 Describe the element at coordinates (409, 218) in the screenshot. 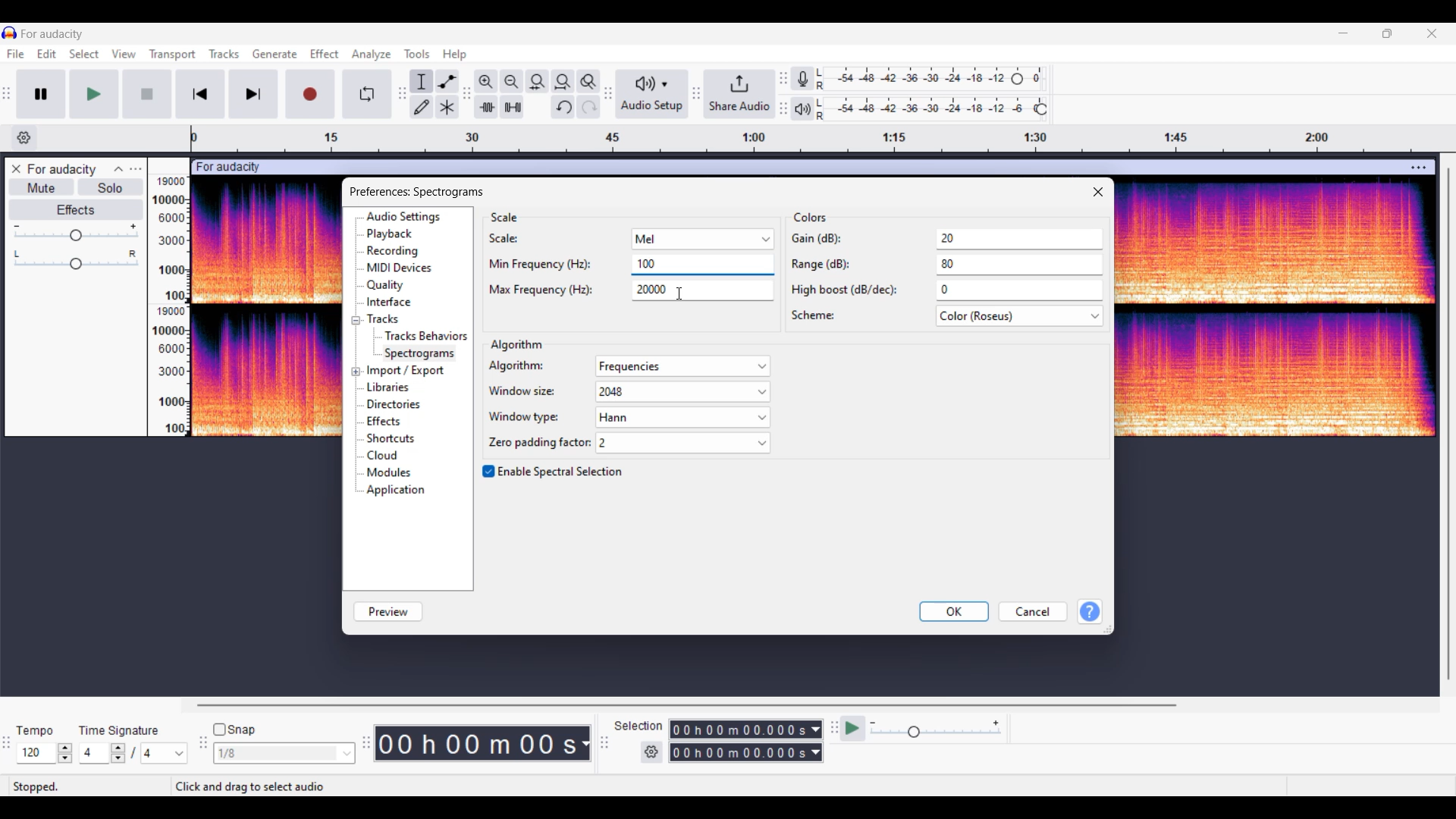

I see `audio settings` at that location.